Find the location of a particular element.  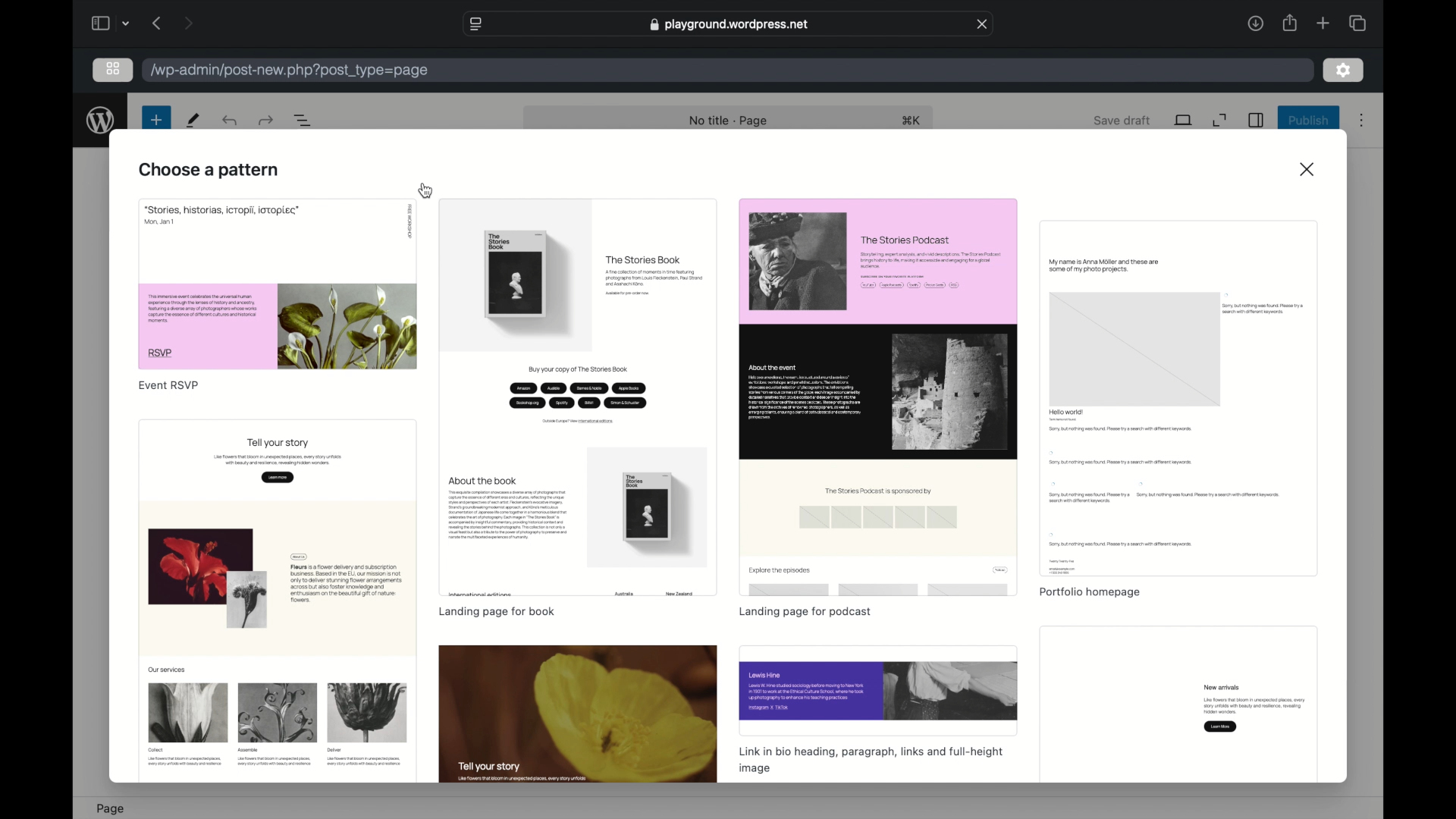

website settings is located at coordinates (474, 24).